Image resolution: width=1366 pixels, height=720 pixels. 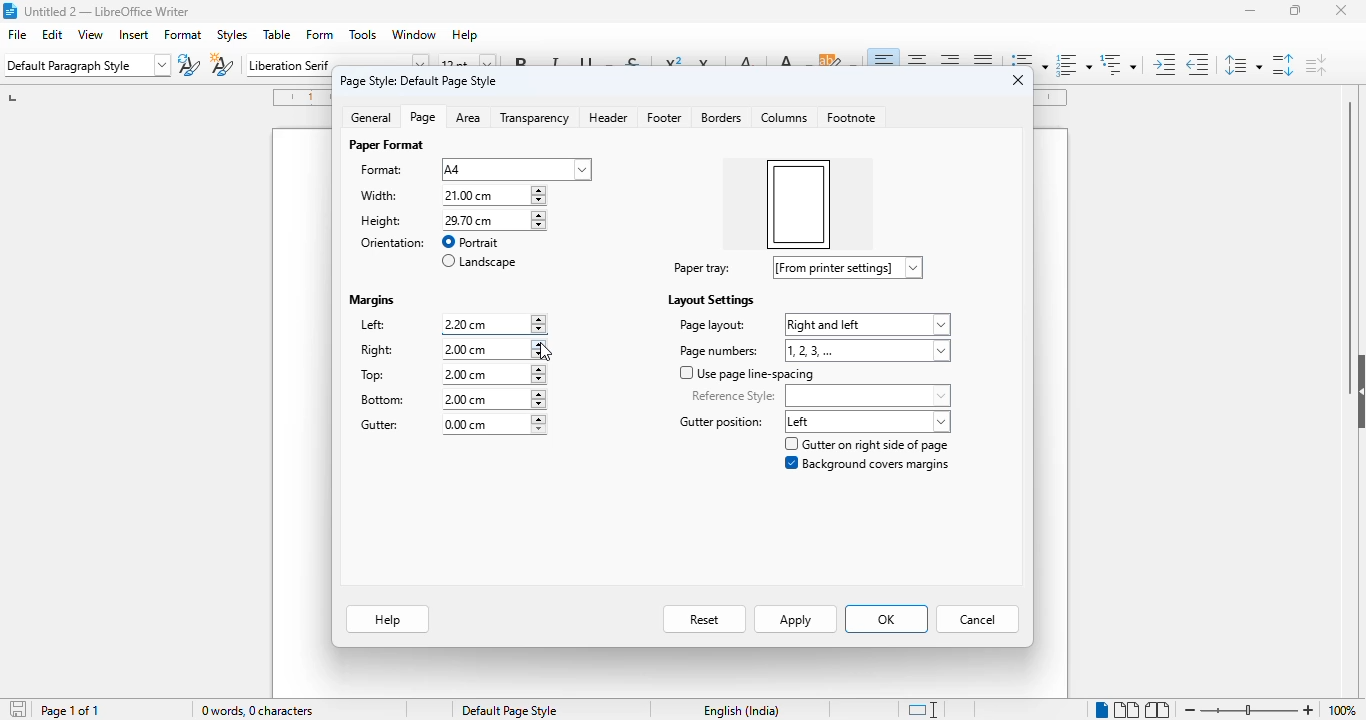 I want to click on page numbers, so click(x=721, y=349).